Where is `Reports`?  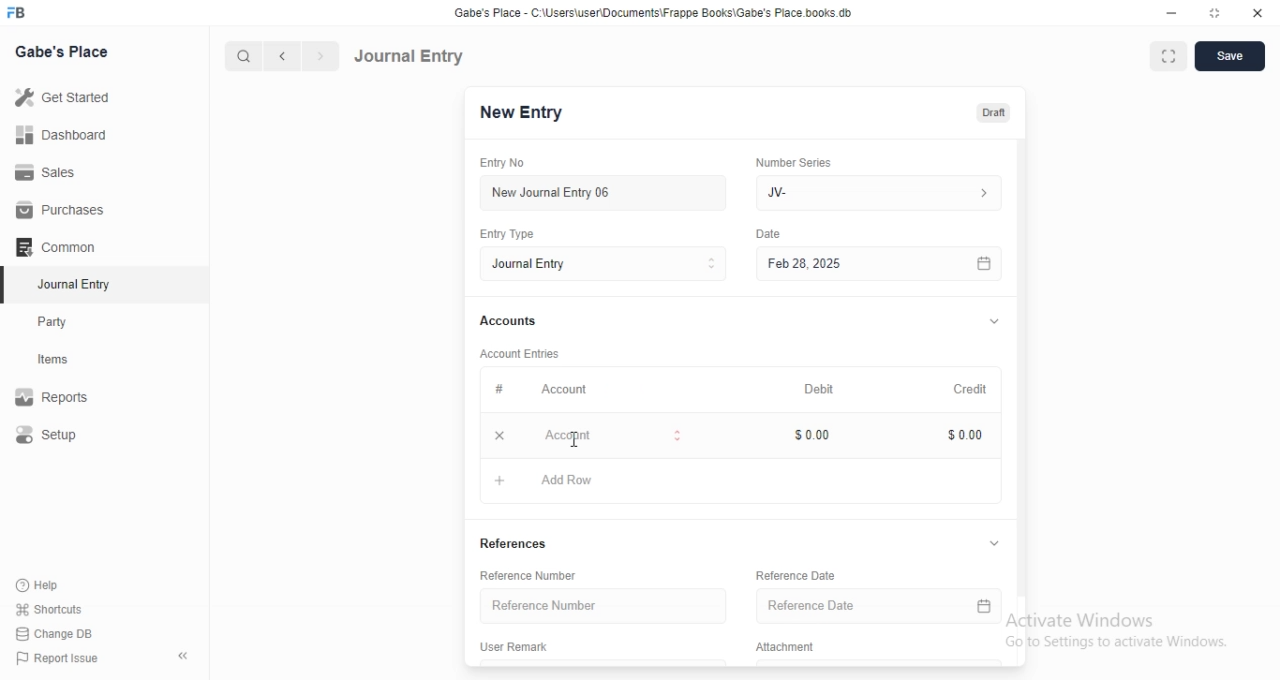
Reports is located at coordinates (65, 399).